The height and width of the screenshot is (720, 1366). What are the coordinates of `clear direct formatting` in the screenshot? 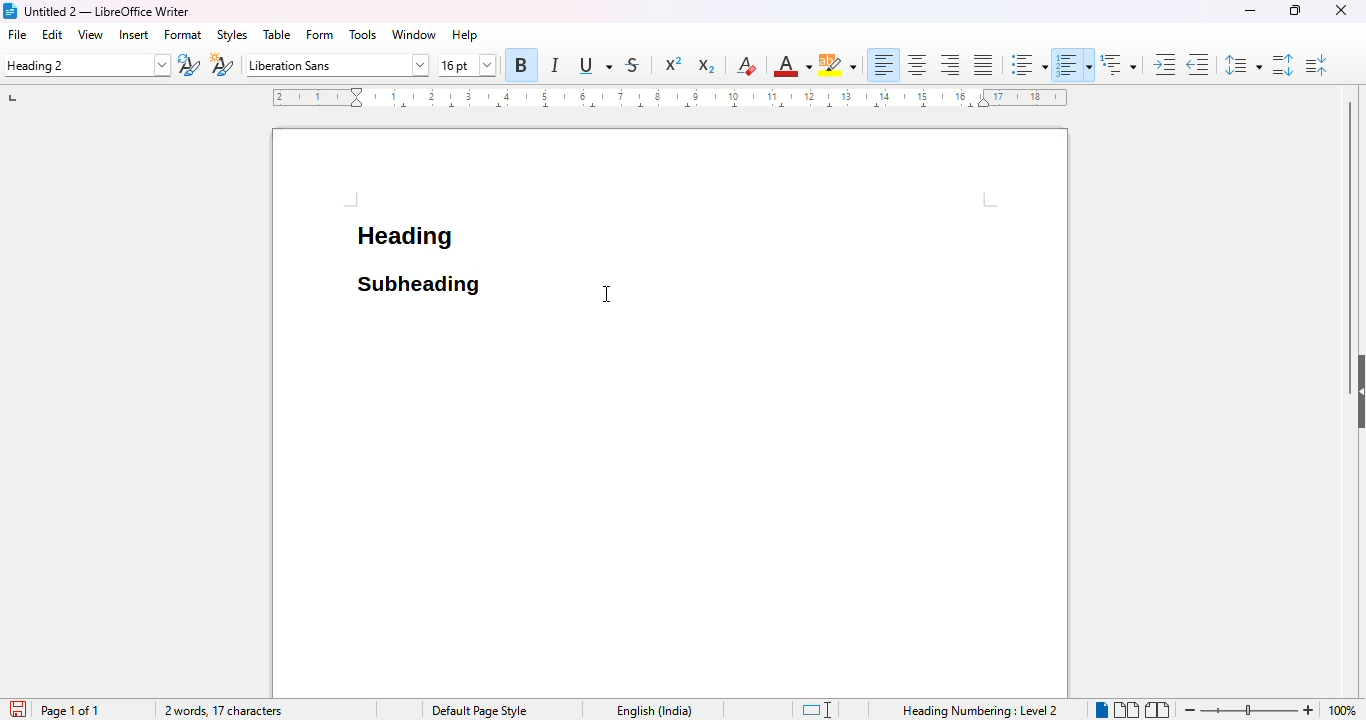 It's located at (746, 65).